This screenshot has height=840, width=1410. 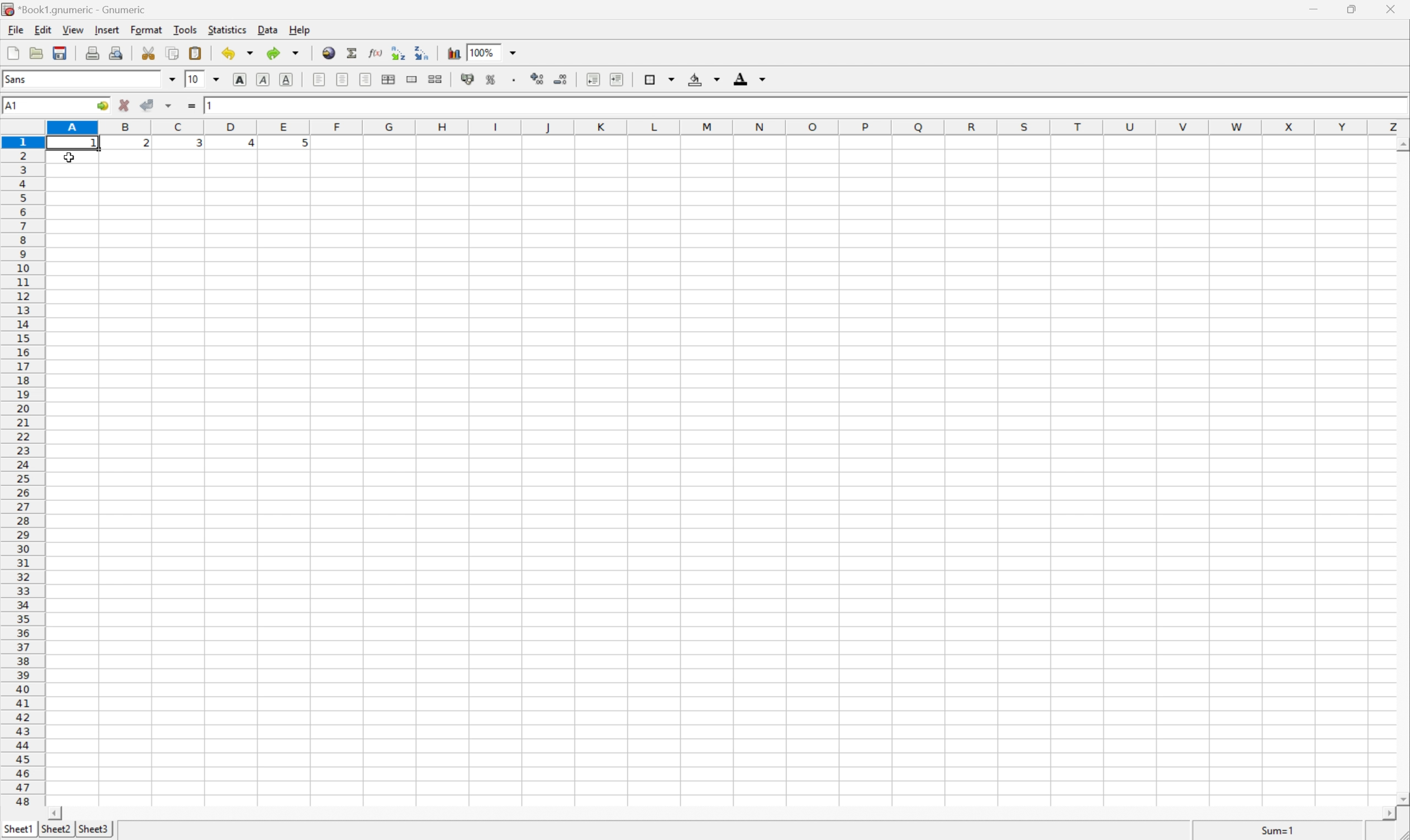 What do you see at coordinates (72, 143) in the screenshot?
I see `selected cell` at bounding box center [72, 143].